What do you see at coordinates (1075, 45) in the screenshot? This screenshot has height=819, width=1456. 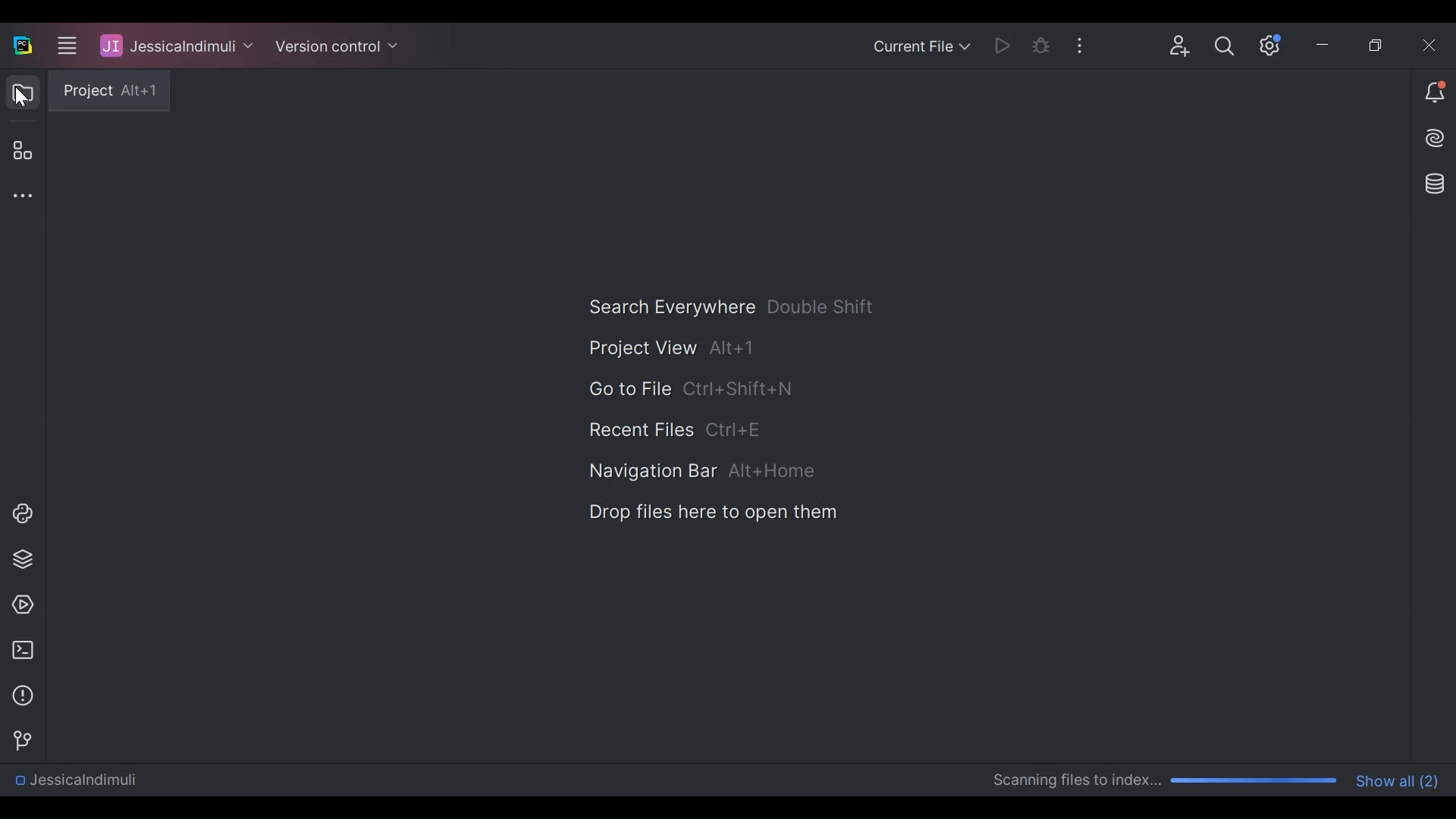 I see `More Options` at bounding box center [1075, 45].